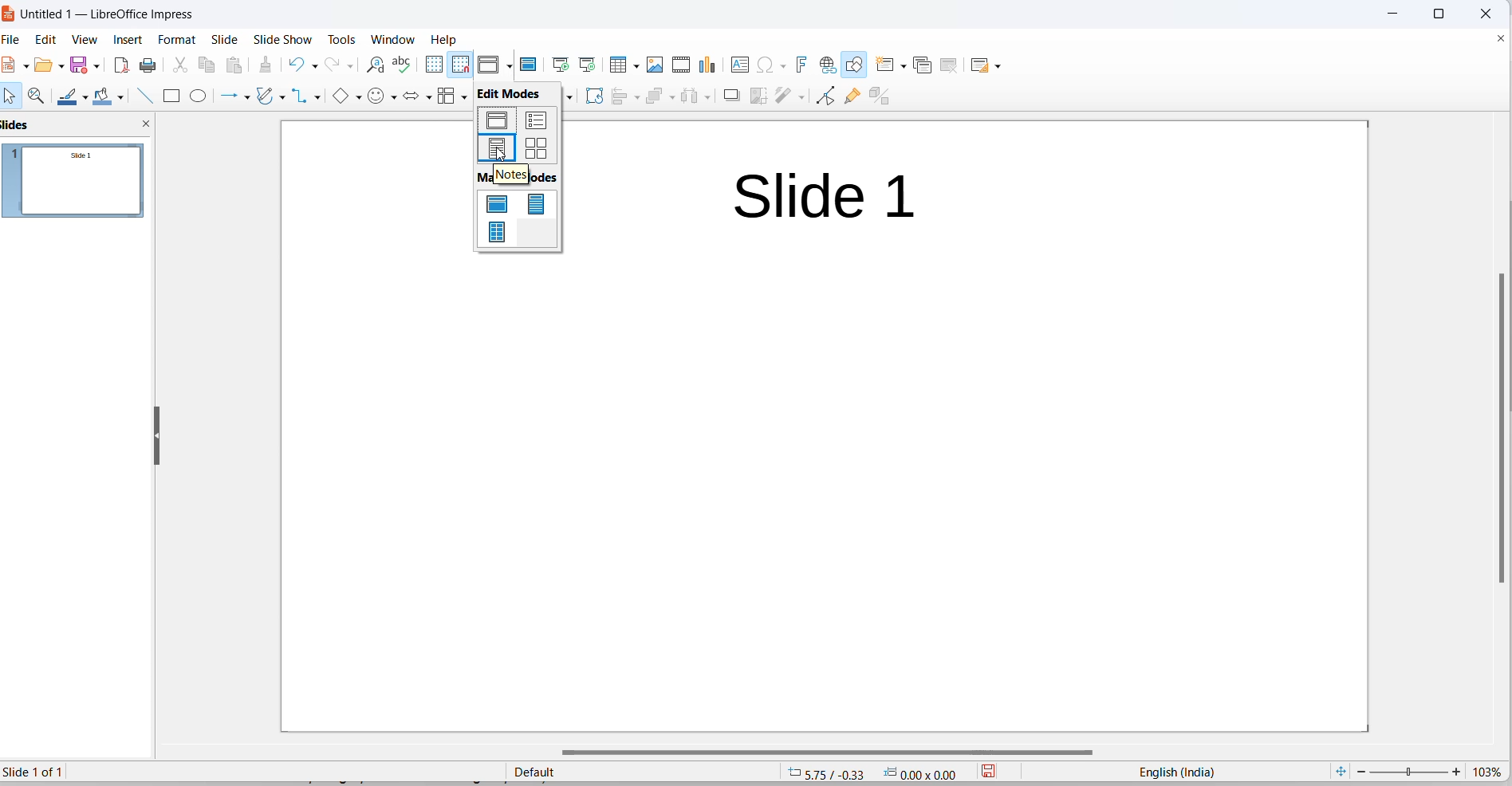 The image size is (1512, 786). Describe the element at coordinates (537, 119) in the screenshot. I see `outline` at that location.